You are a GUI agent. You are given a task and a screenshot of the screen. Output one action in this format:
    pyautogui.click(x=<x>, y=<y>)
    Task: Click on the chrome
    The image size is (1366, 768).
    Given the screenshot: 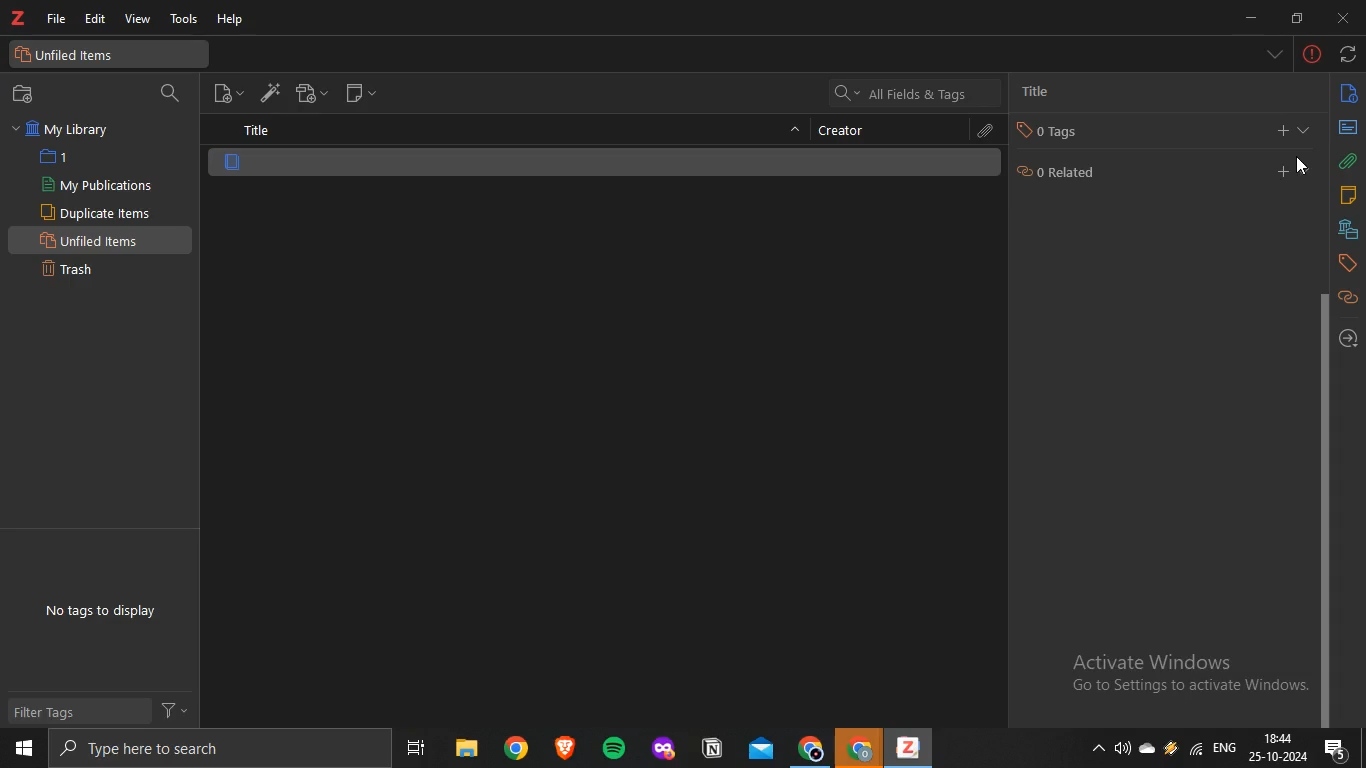 What is the action you would take?
    pyautogui.click(x=514, y=748)
    